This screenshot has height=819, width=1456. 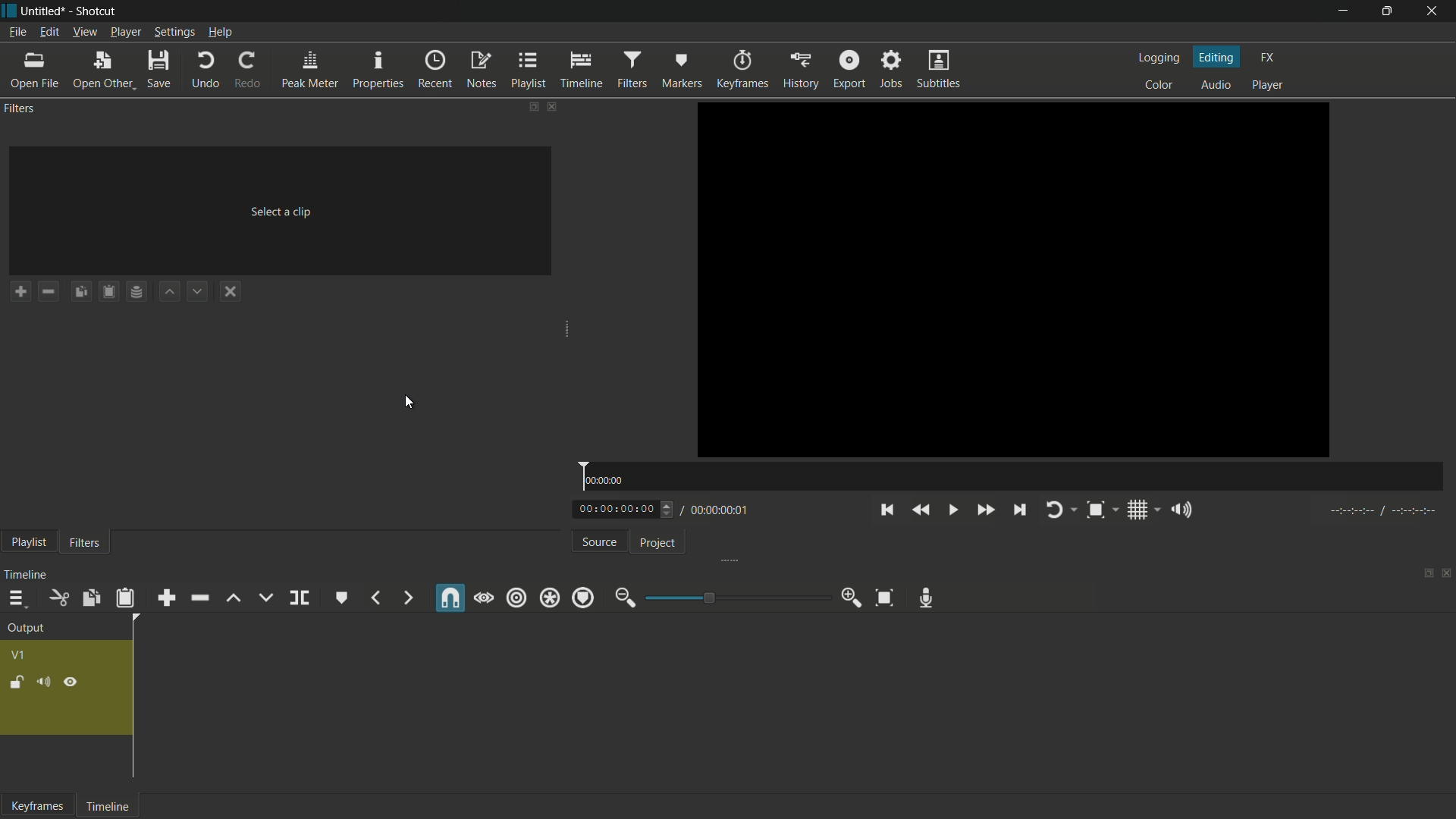 What do you see at coordinates (20, 657) in the screenshot?
I see `V1` at bounding box center [20, 657].